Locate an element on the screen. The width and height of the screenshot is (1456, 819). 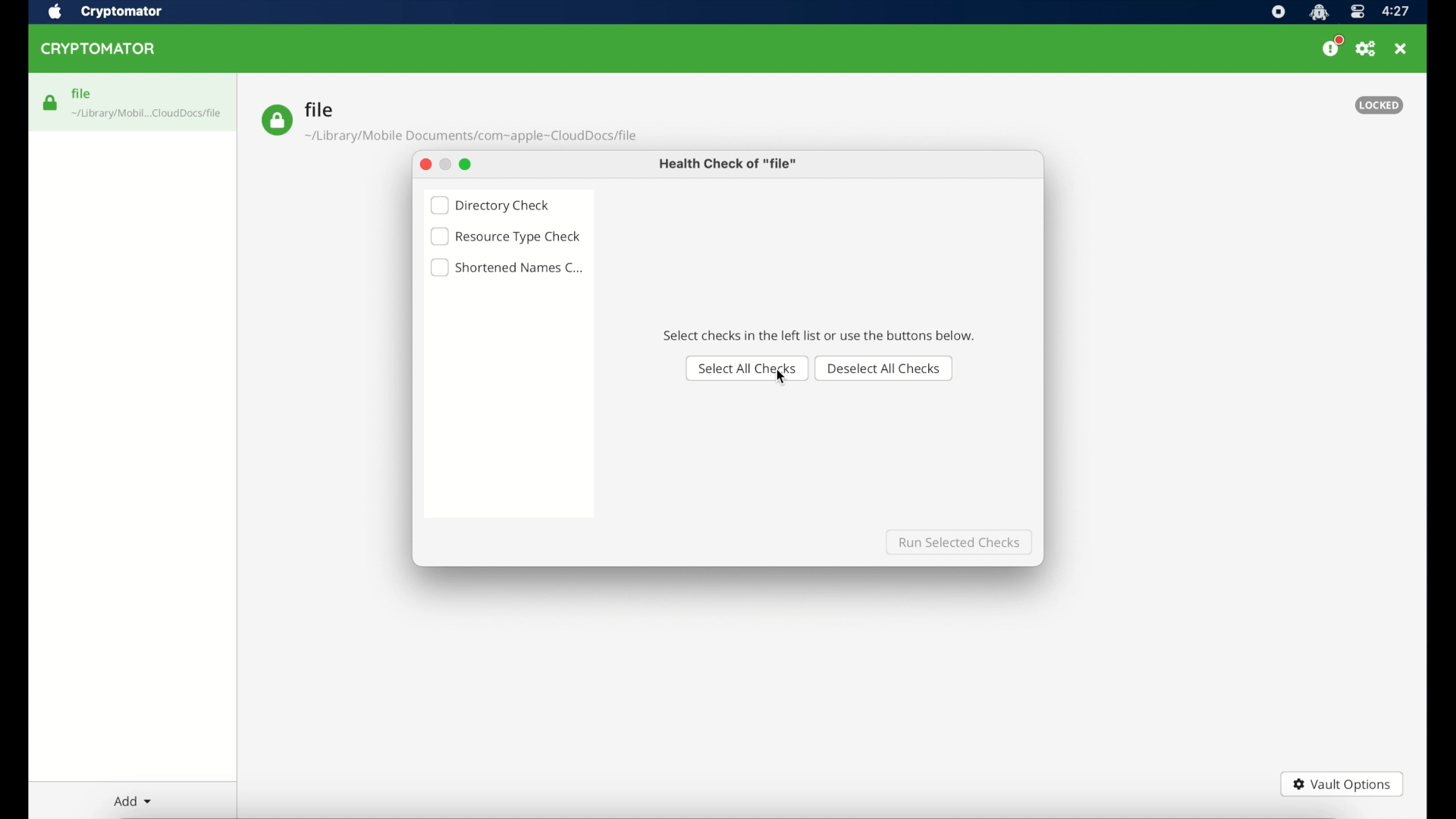
| Resource Type Check is located at coordinates (507, 237).